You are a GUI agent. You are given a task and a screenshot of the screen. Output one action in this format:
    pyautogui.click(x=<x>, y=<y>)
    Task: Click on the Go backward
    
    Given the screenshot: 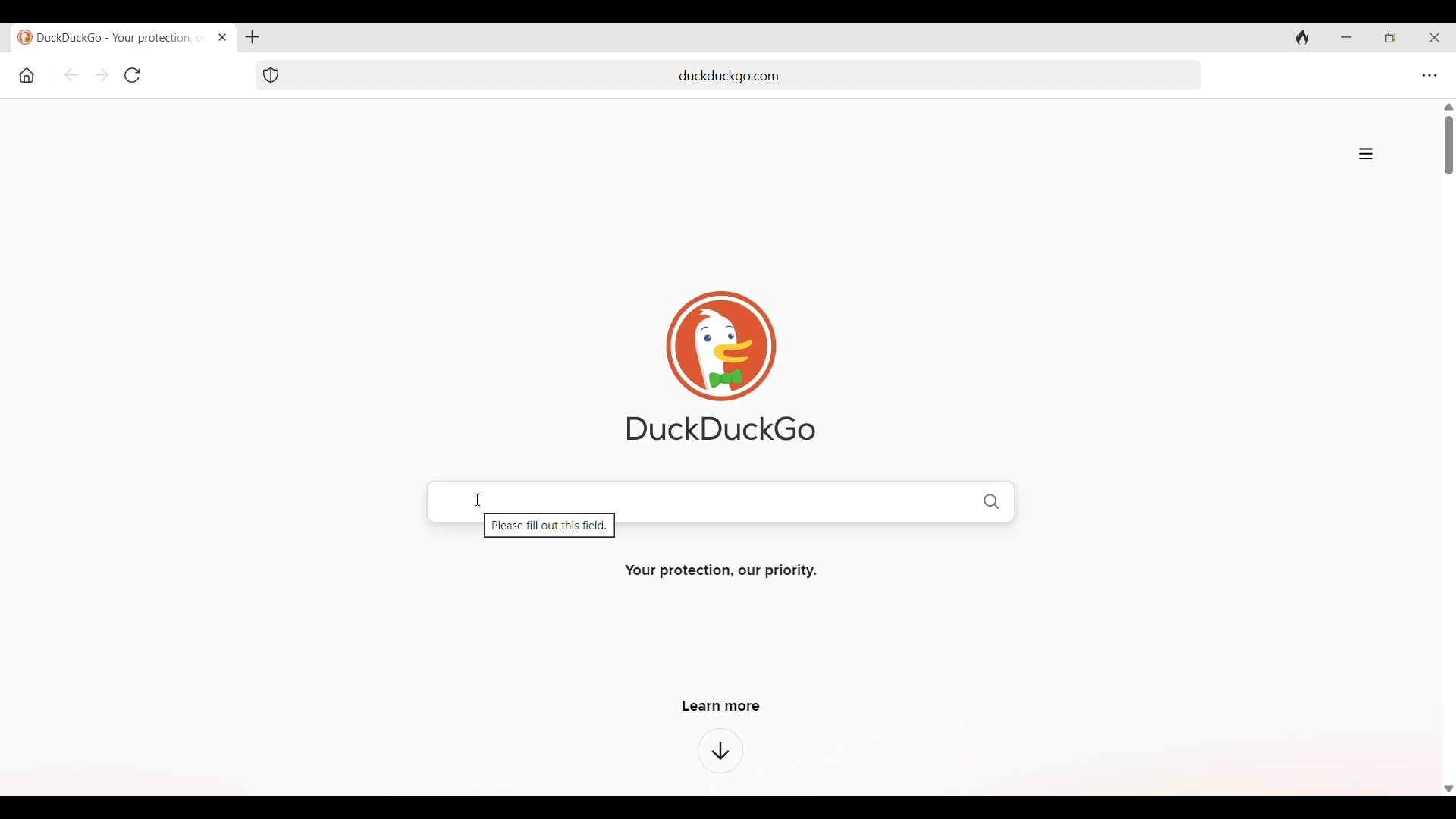 What is the action you would take?
    pyautogui.click(x=71, y=75)
    